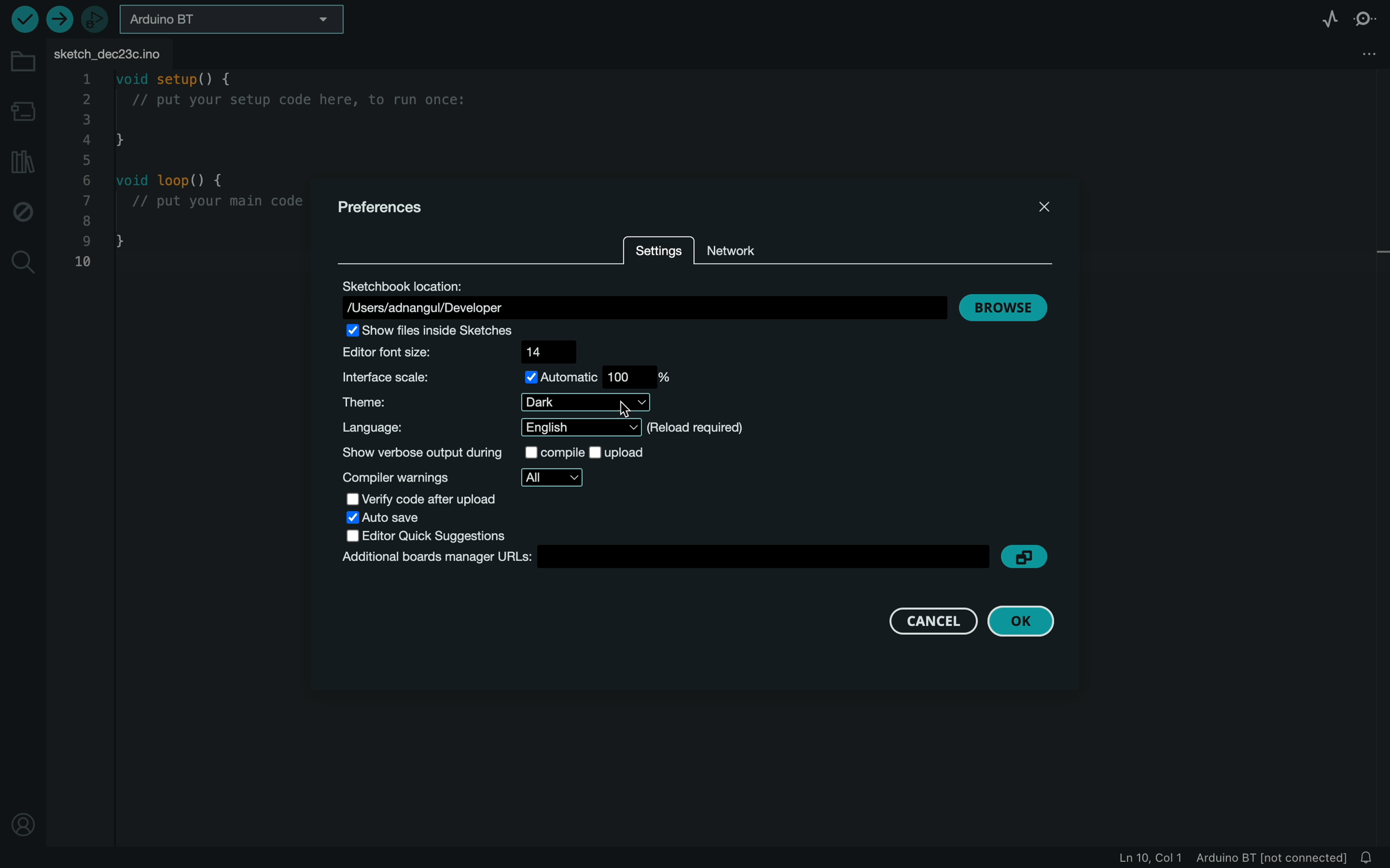  What do you see at coordinates (1368, 18) in the screenshot?
I see `serial monitor` at bounding box center [1368, 18].